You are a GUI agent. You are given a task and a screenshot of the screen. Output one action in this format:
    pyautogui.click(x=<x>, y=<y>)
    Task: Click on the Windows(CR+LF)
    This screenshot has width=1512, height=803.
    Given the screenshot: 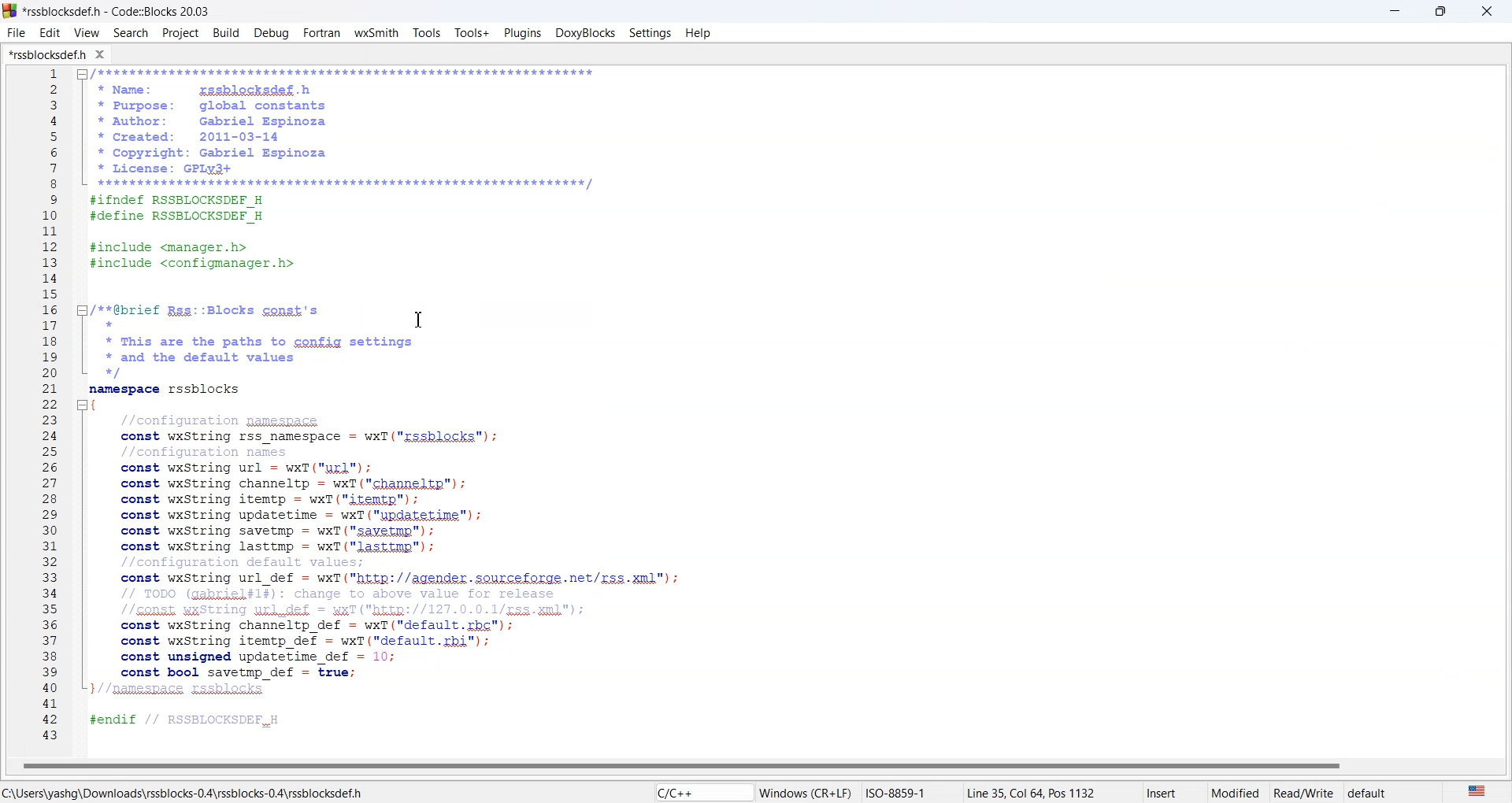 What is the action you would take?
    pyautogui.click(x=859, y=791)
    